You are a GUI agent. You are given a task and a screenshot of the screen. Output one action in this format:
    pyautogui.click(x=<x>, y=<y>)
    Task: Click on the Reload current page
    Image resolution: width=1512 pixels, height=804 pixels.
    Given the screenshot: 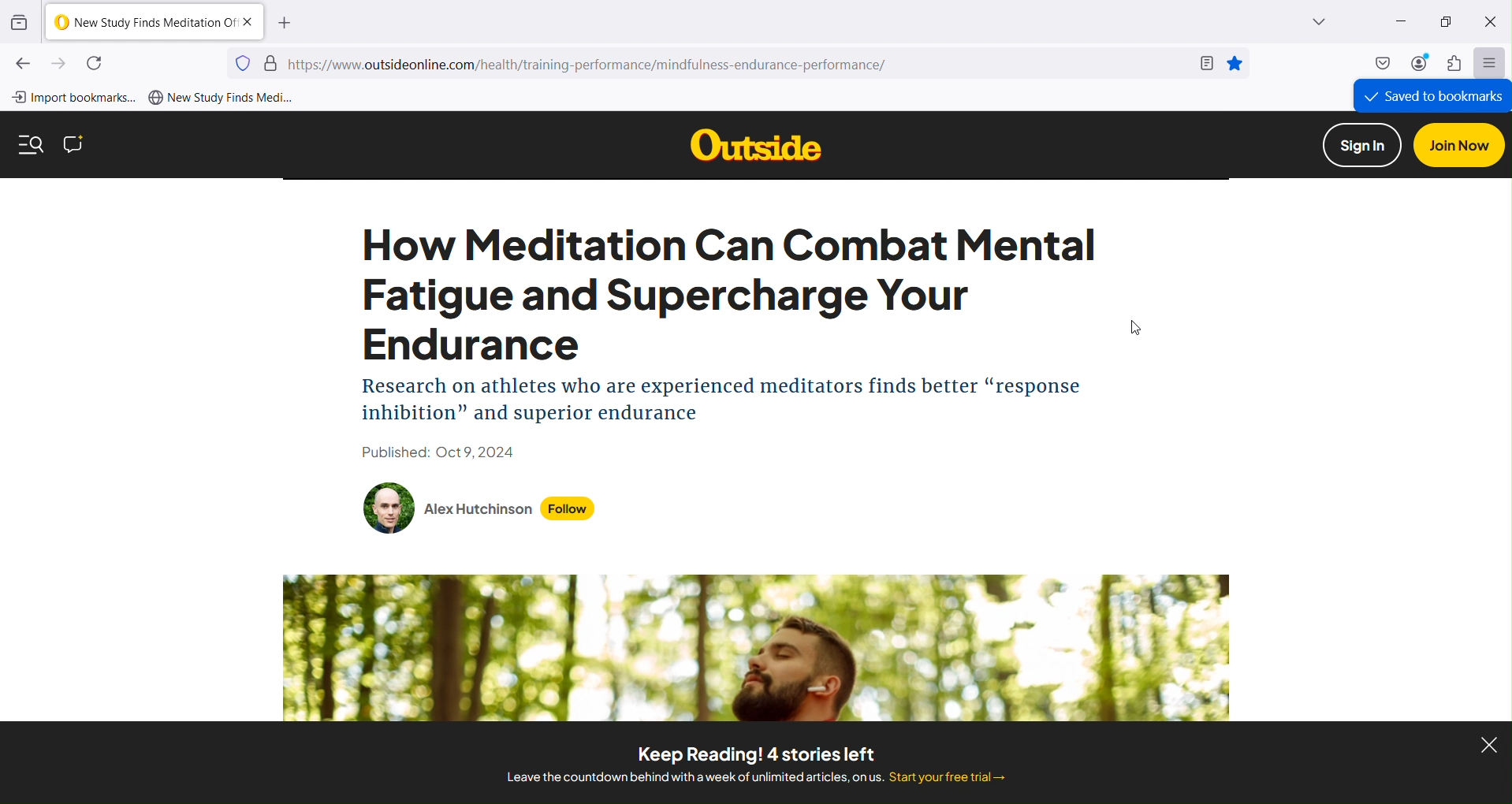 What is the action you would take?
    pyautogui.click(x=97, y=63)
    